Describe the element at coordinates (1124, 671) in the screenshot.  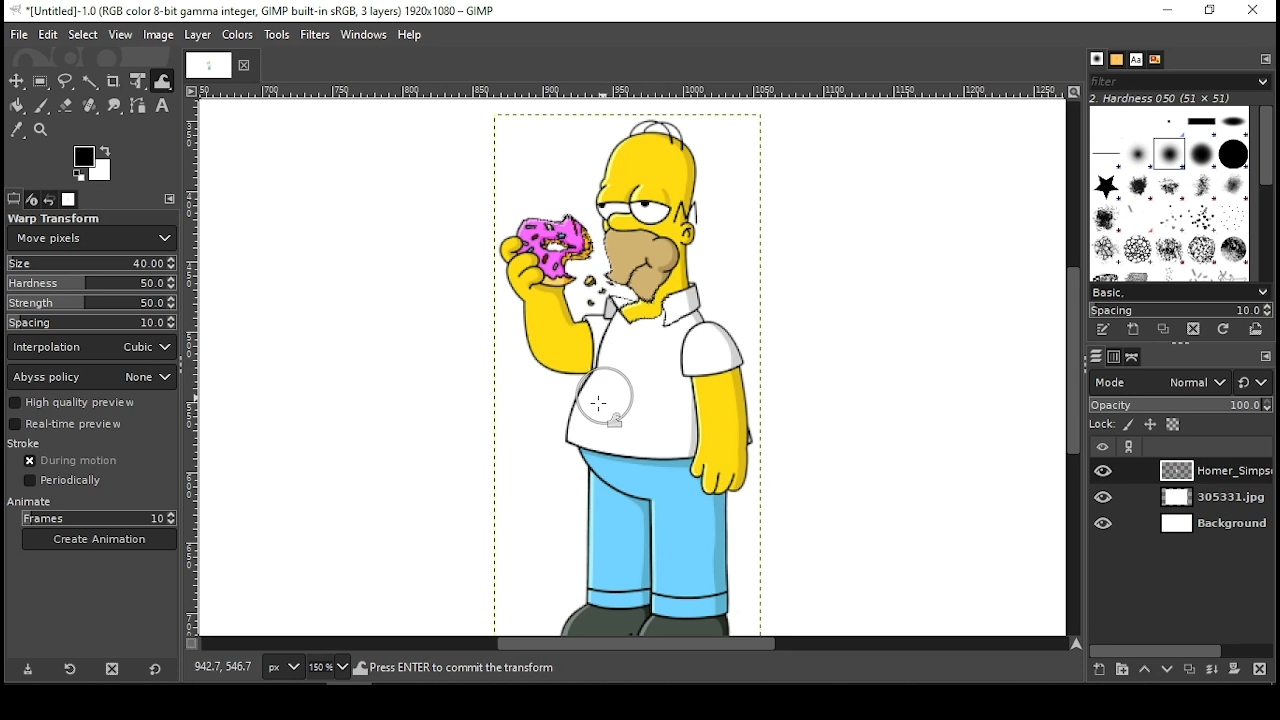
I see `create a new layer group` at that location.